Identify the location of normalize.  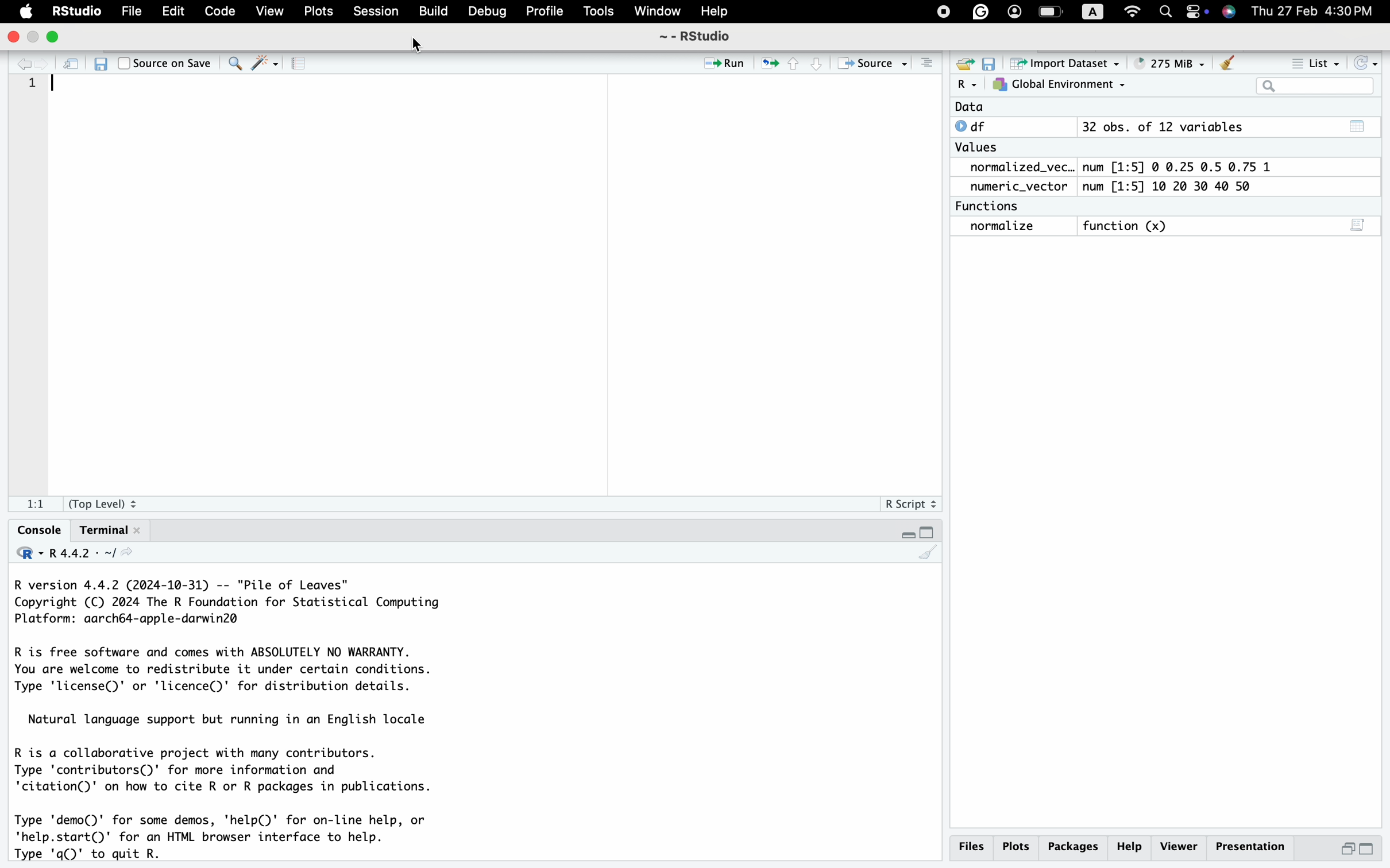
(1001, 227).